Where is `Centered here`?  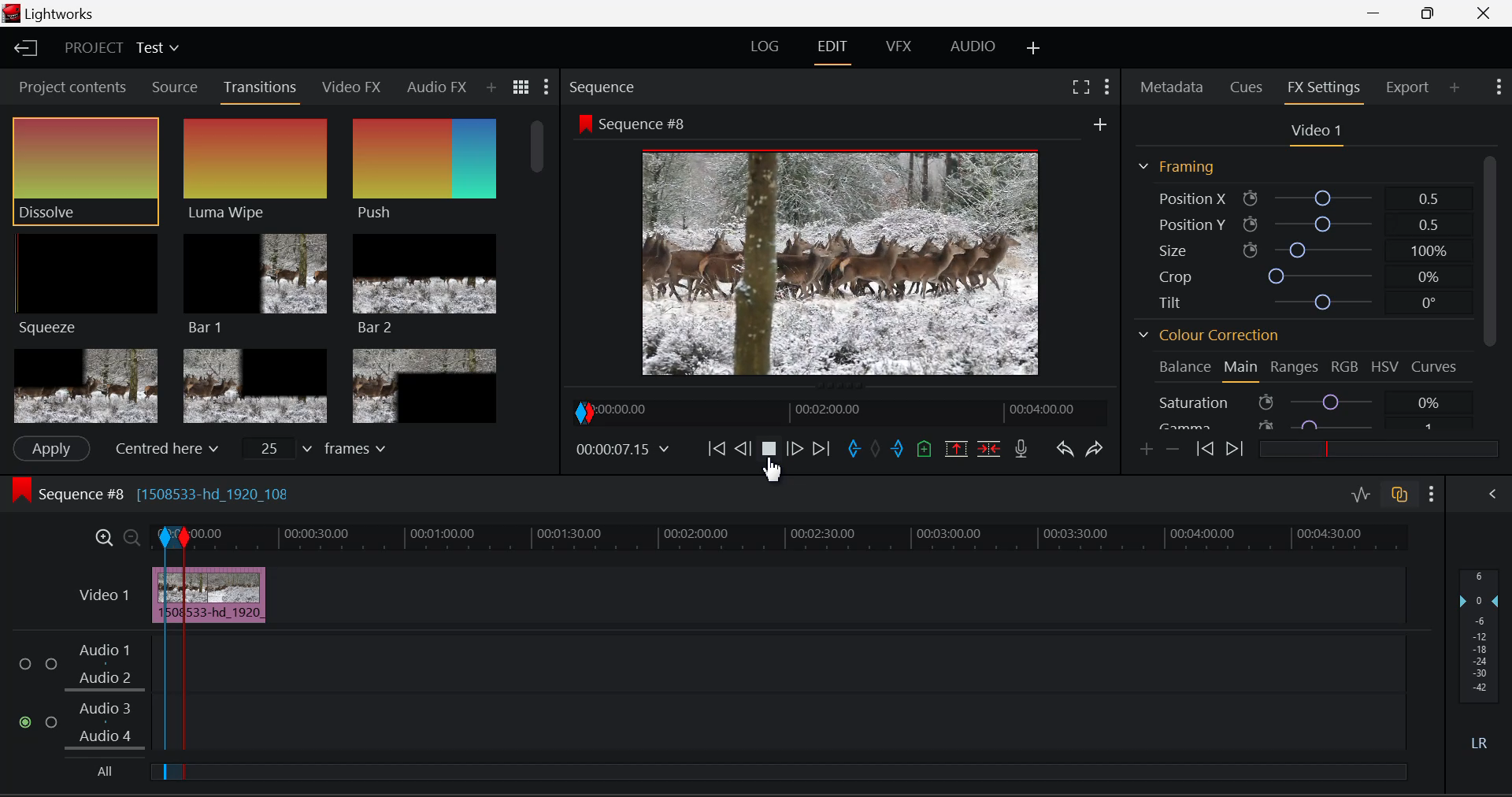
Centered here is located at coordinates (165, 447).